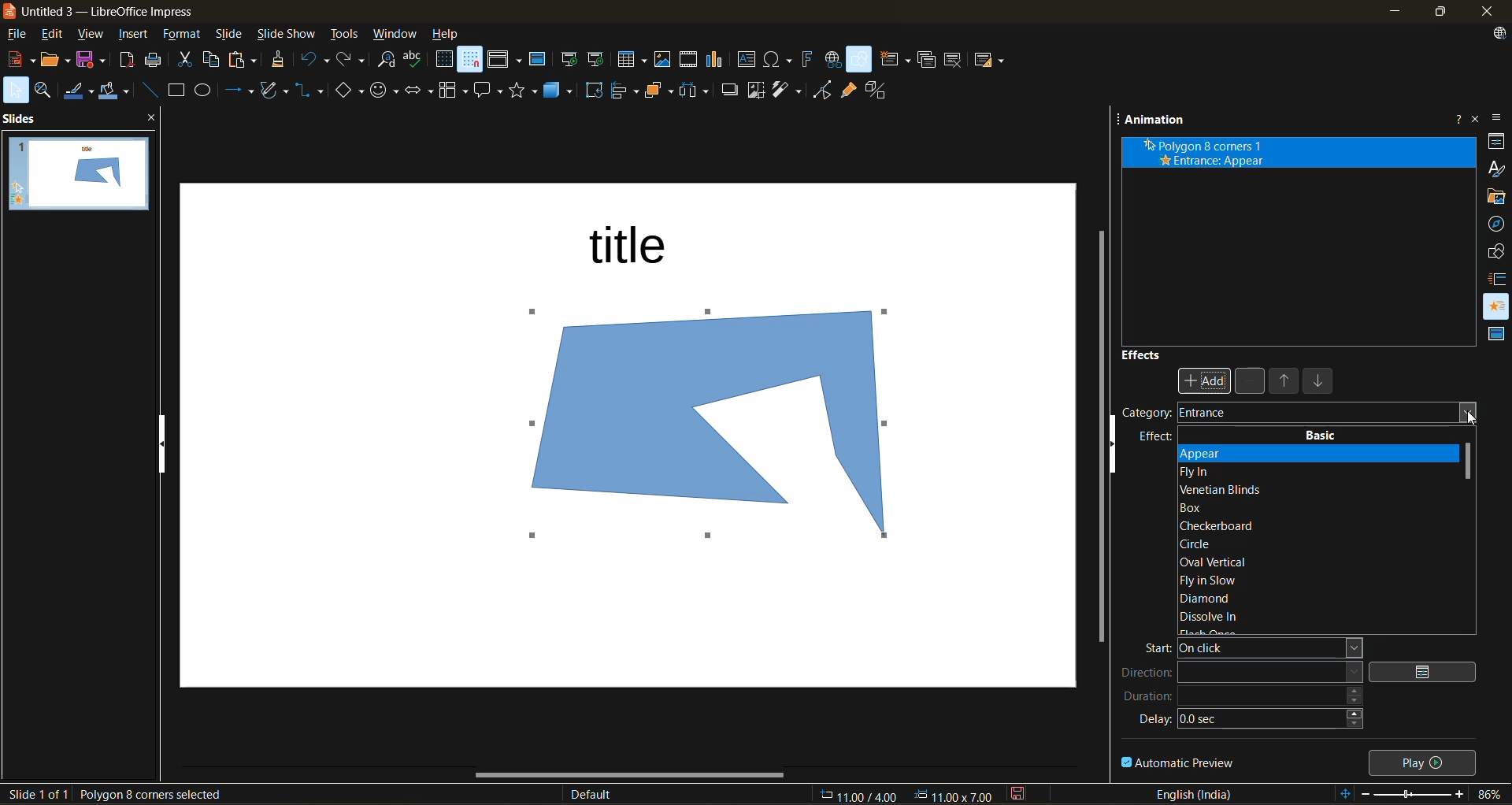  I want to click on text language, so click(1203, 793).